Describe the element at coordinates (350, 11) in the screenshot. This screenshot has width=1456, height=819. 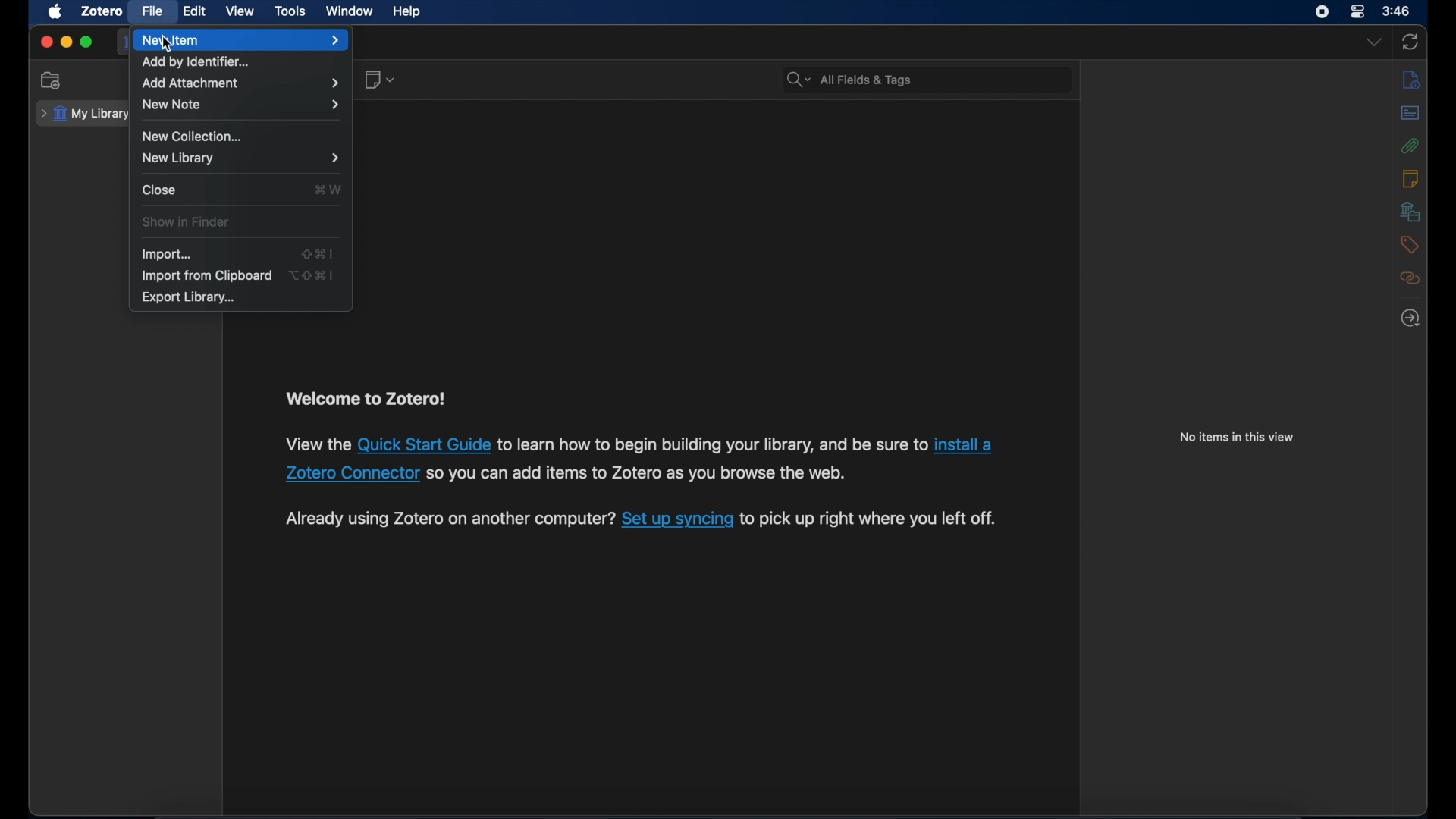
I see `window` at that location.